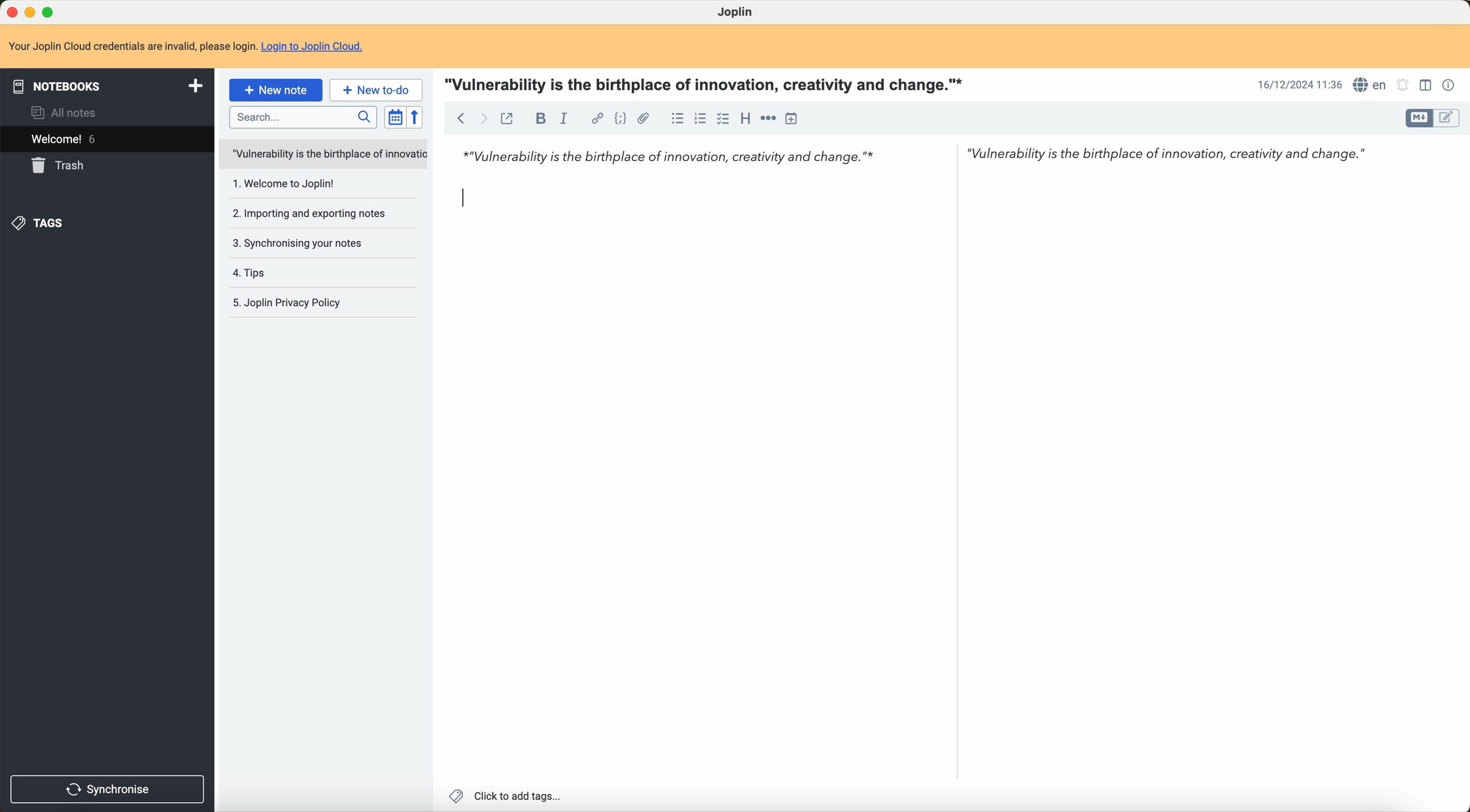 The height and width of the screenshot is (812, 1470). What do you see at coordinates (723, 119) in the screenshot?
I see `checkbox` at bounding box center [723, 119].